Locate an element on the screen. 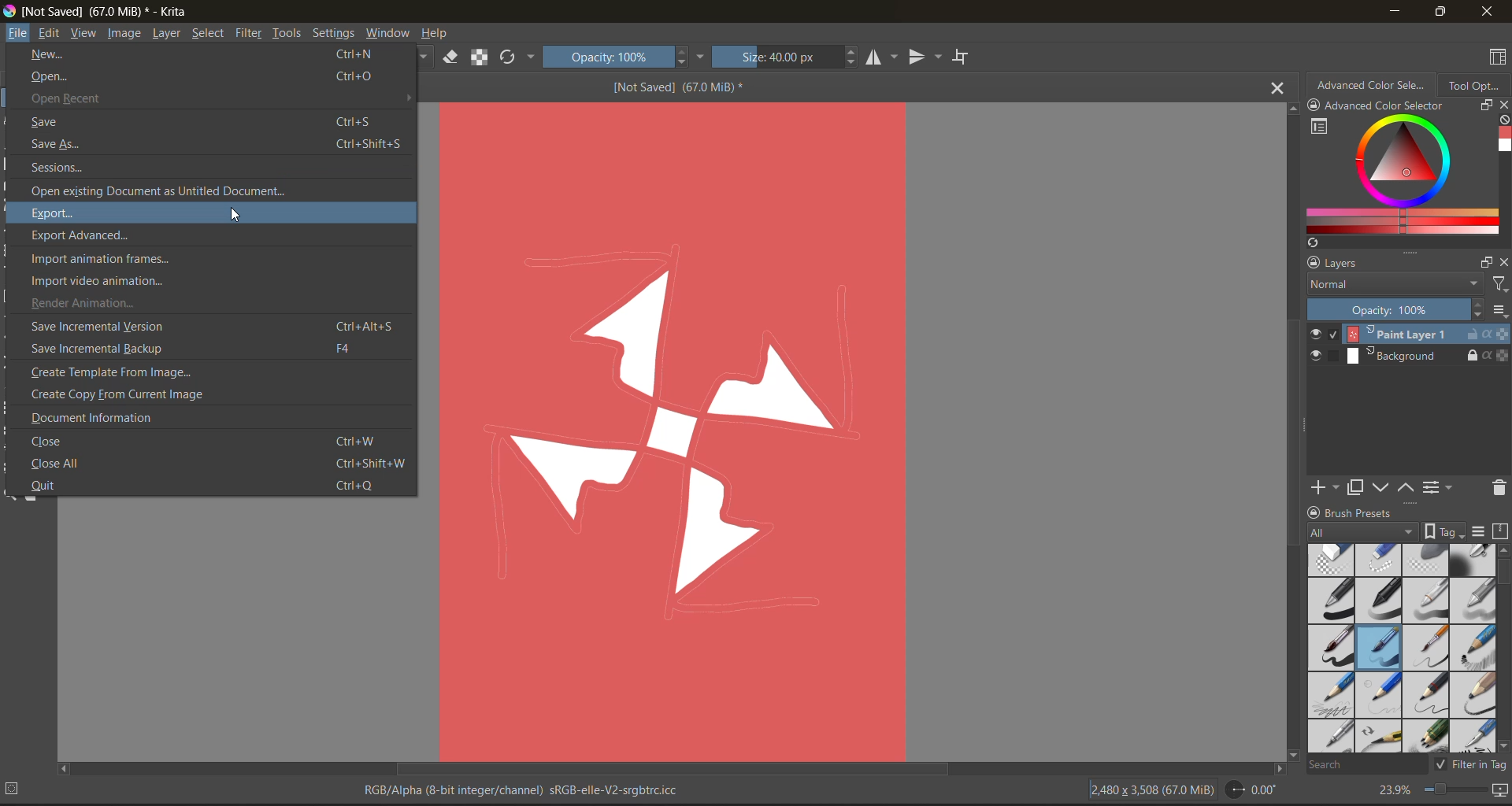 This screenshot has width=1512, height=806. opacity is located at coordinates (1406, 311).